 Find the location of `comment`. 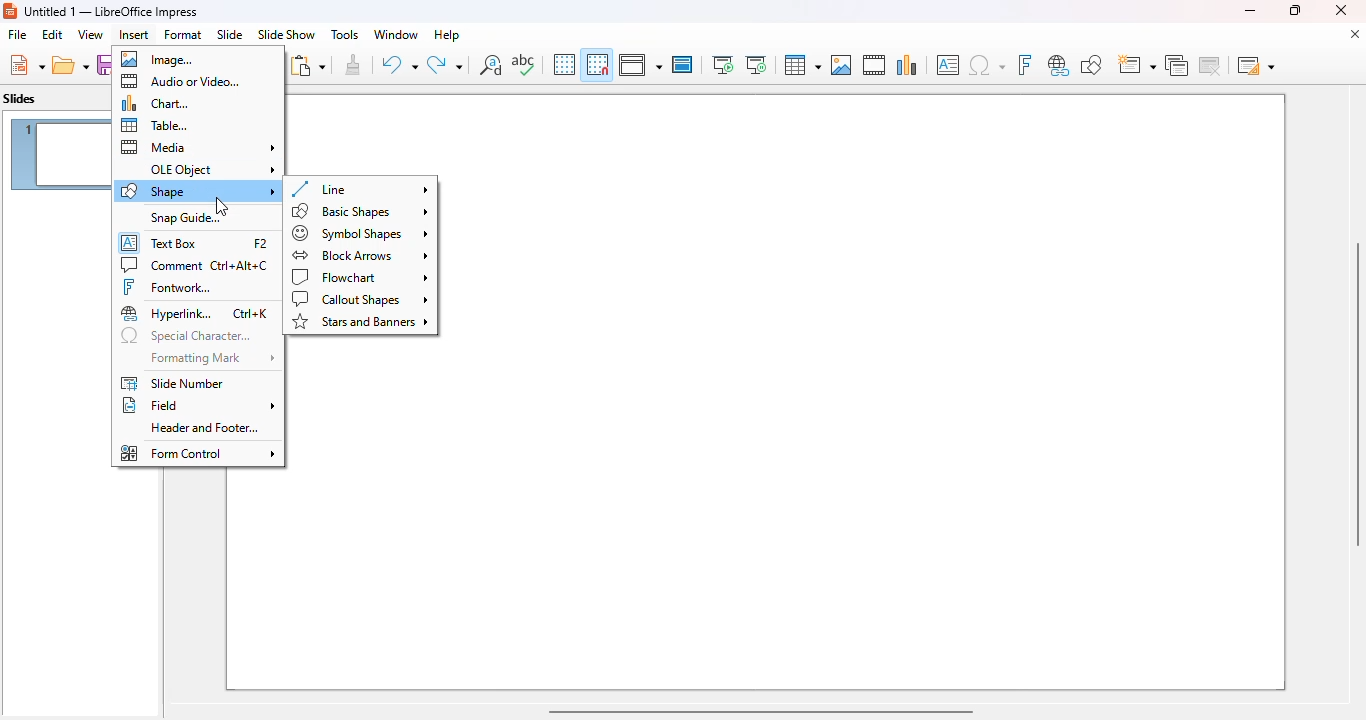

comment is located at coordinates (195, 265).